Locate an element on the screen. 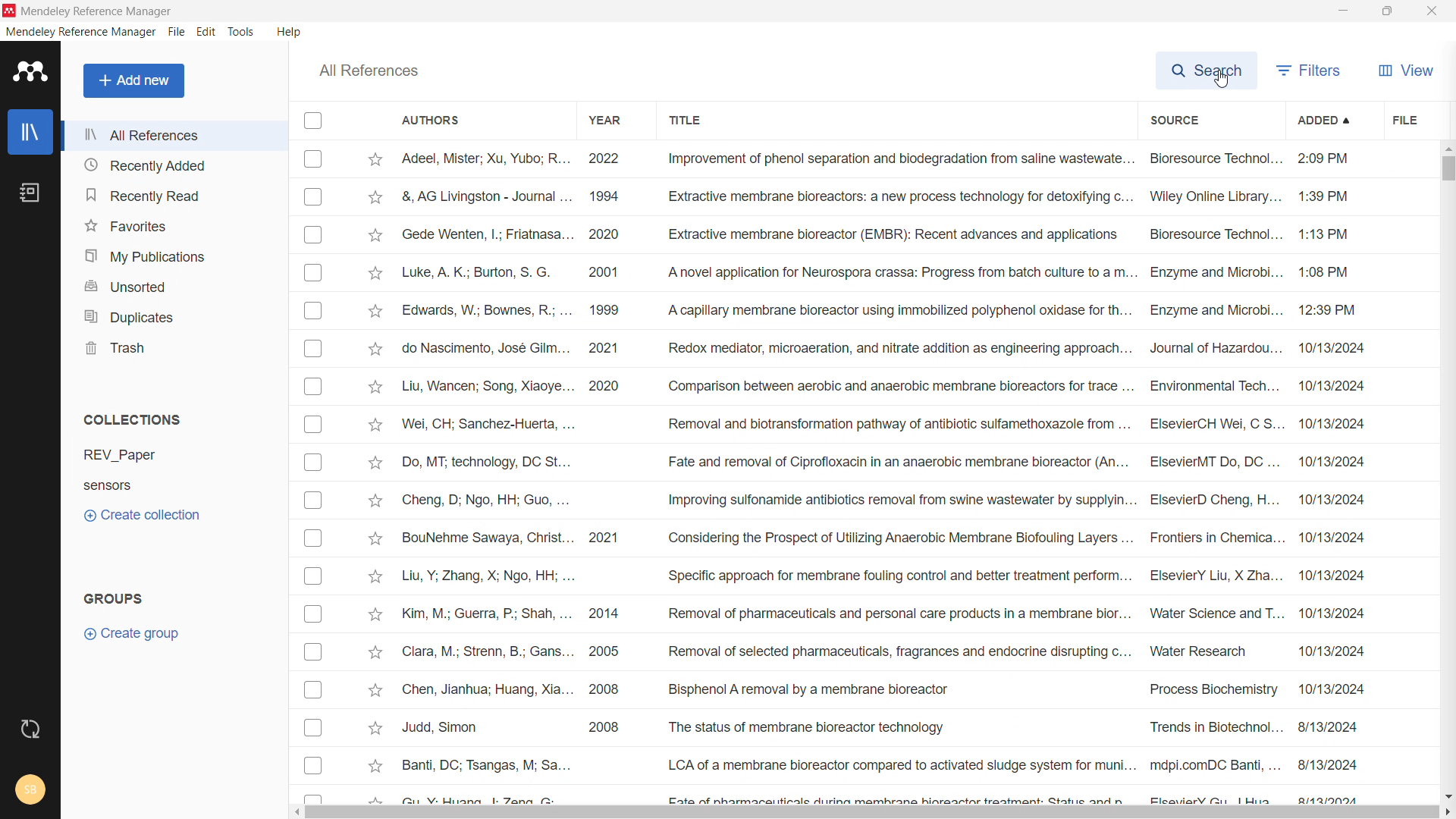 This screenshot has width=1456, height=819. favorites is located at coordinates (175, 224).